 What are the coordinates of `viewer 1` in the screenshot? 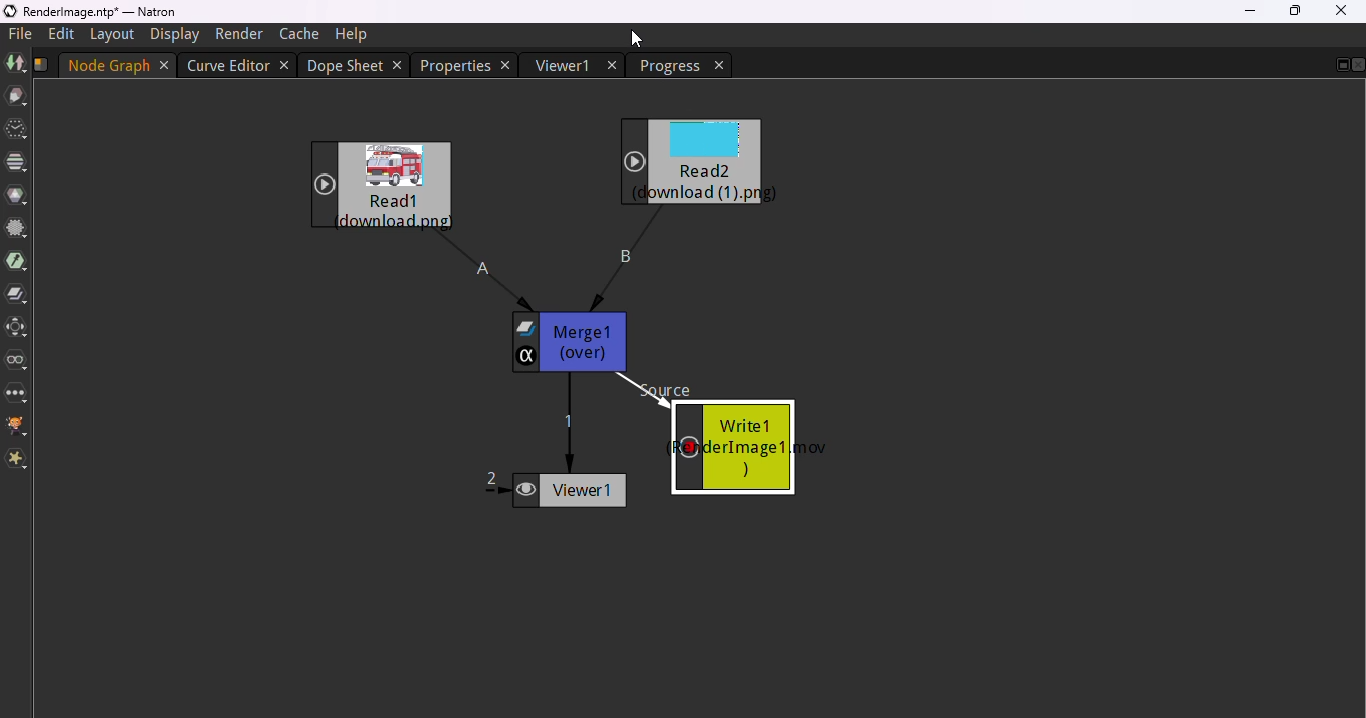 It's located at (563, 65).